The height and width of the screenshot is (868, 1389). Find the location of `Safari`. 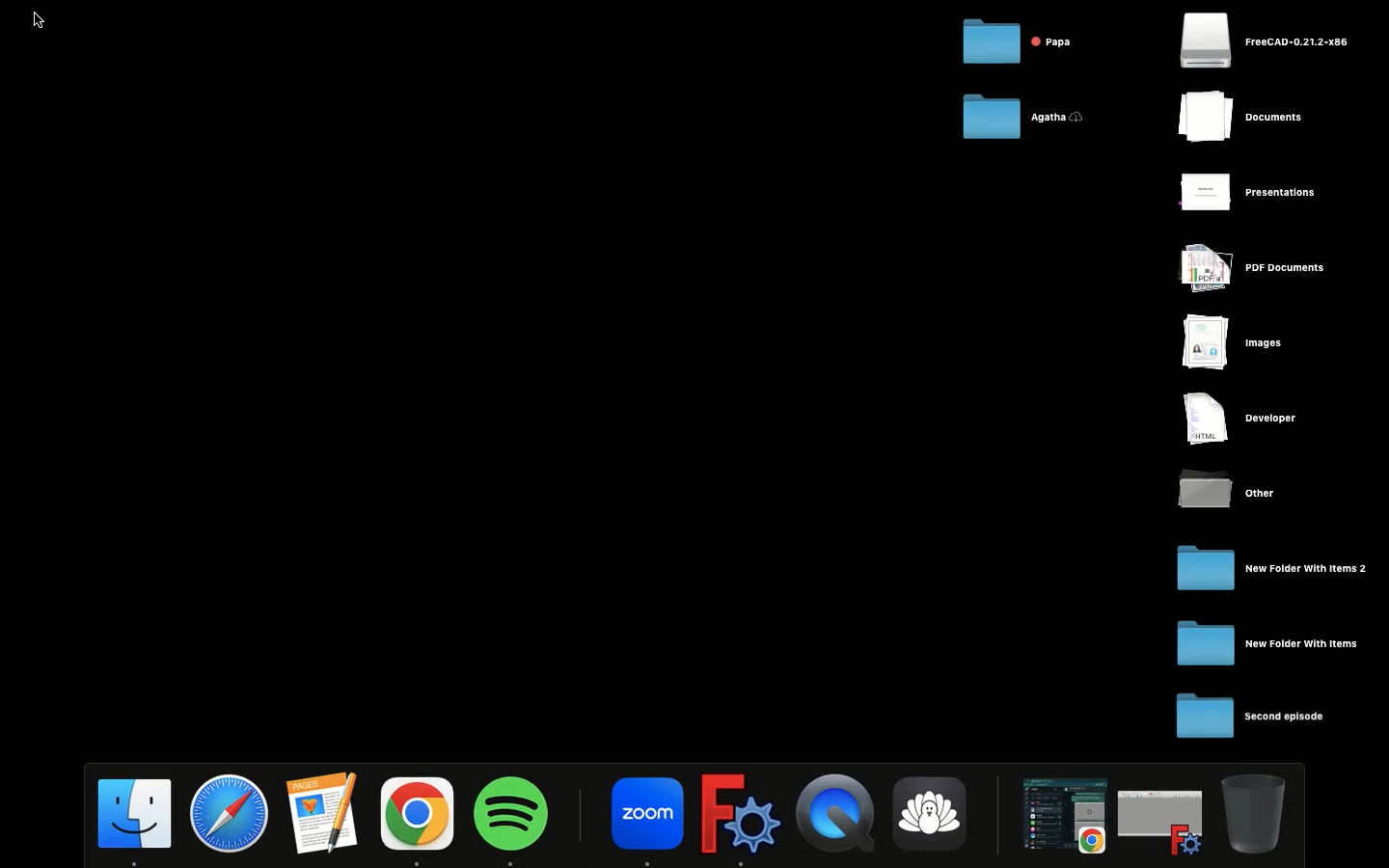

Safari is located at coordinates (233, 813).